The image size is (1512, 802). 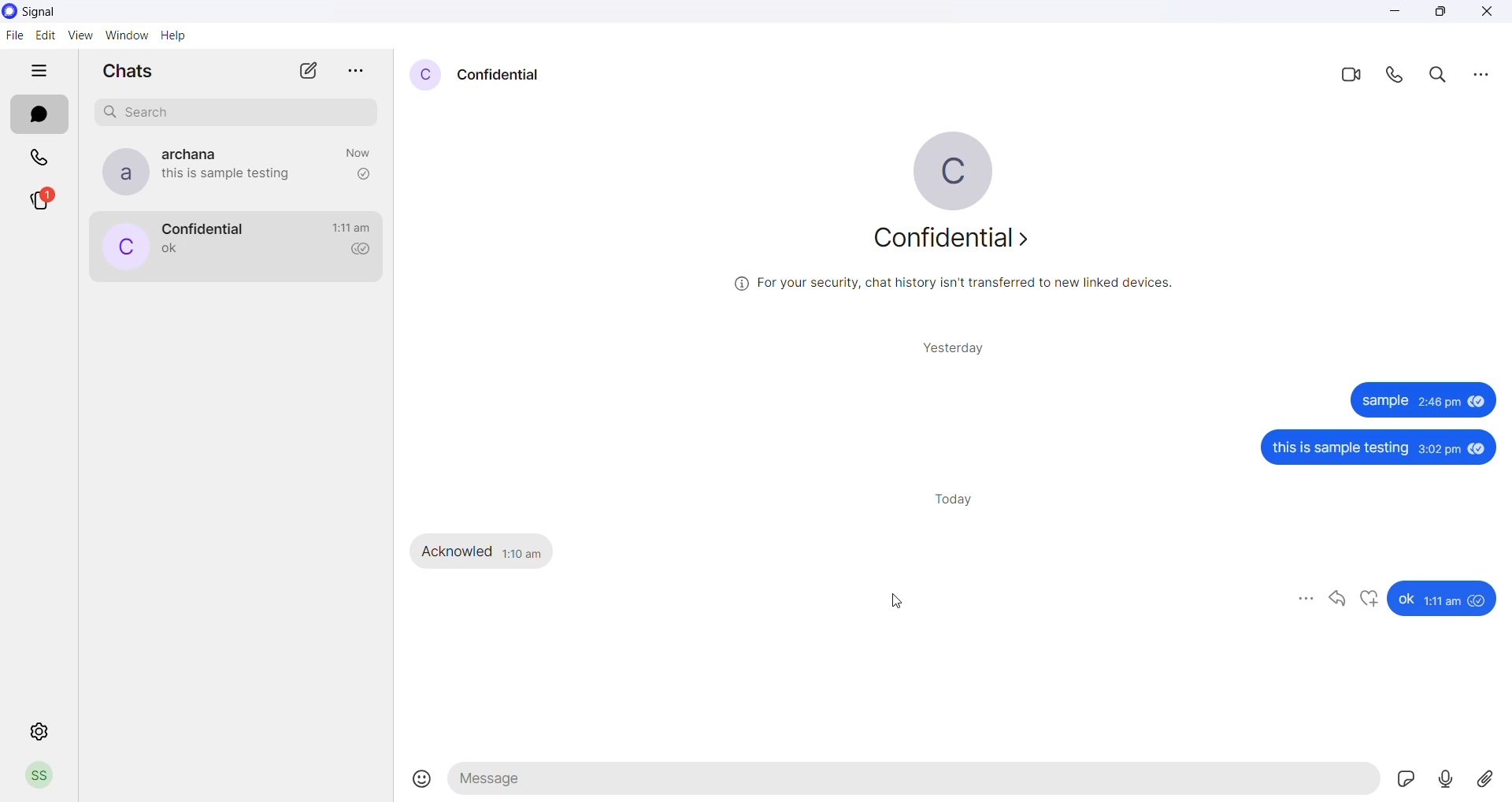 What do you see at coordinates (240, 110) in the screenshot?
I see `search box` at bounding box center [240, 110].